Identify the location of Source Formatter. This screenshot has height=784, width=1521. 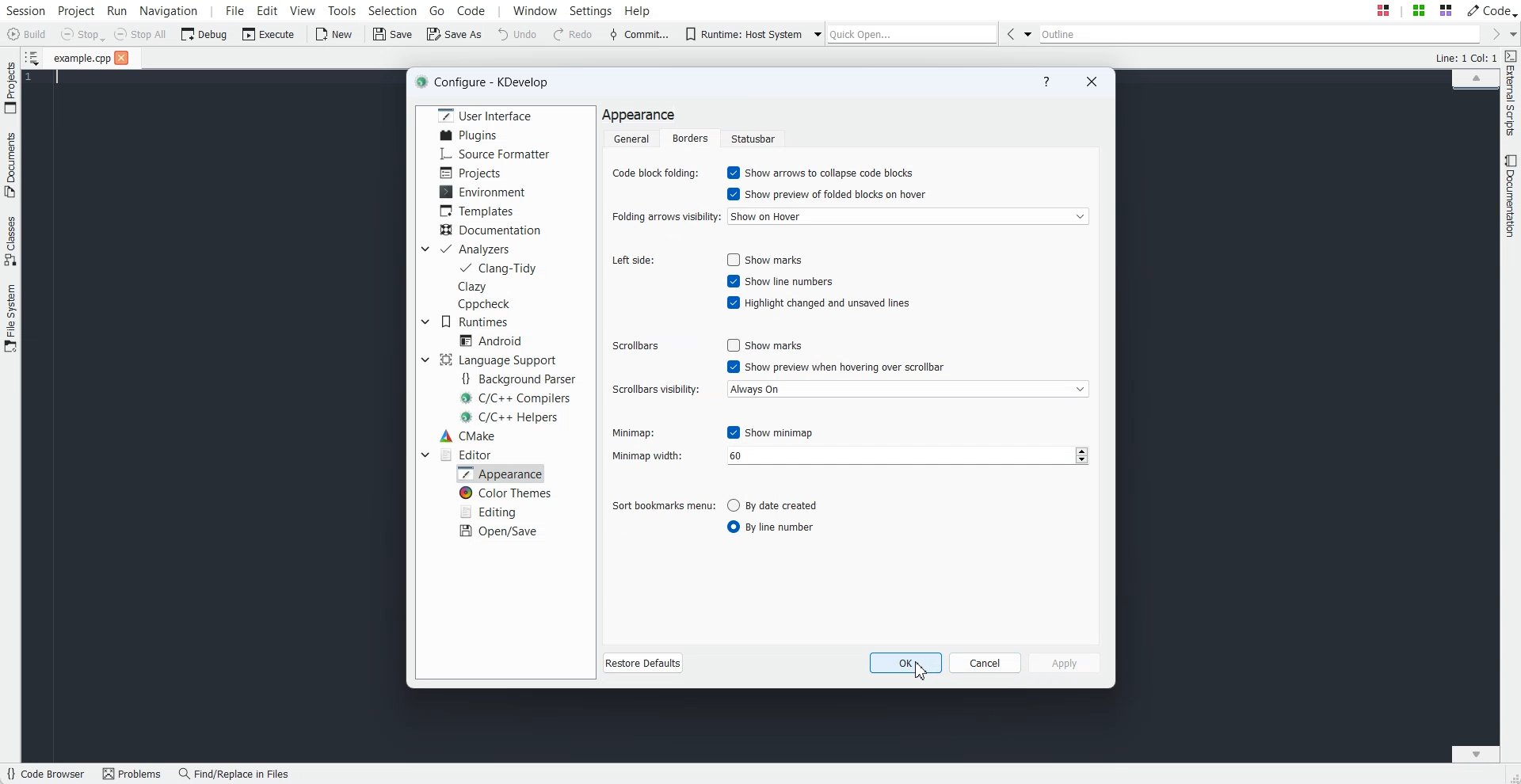
(494, 154).